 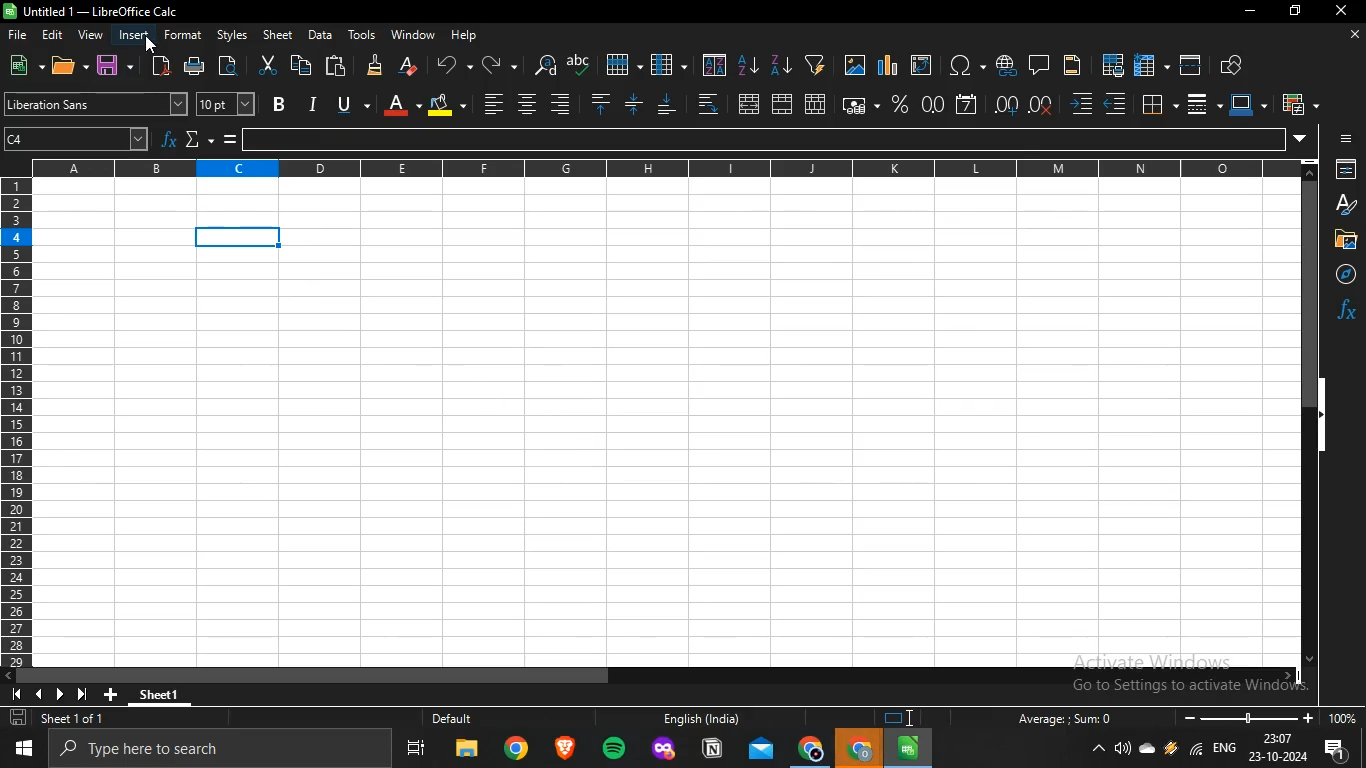 I want to click on file, so click(x=20, y=36).